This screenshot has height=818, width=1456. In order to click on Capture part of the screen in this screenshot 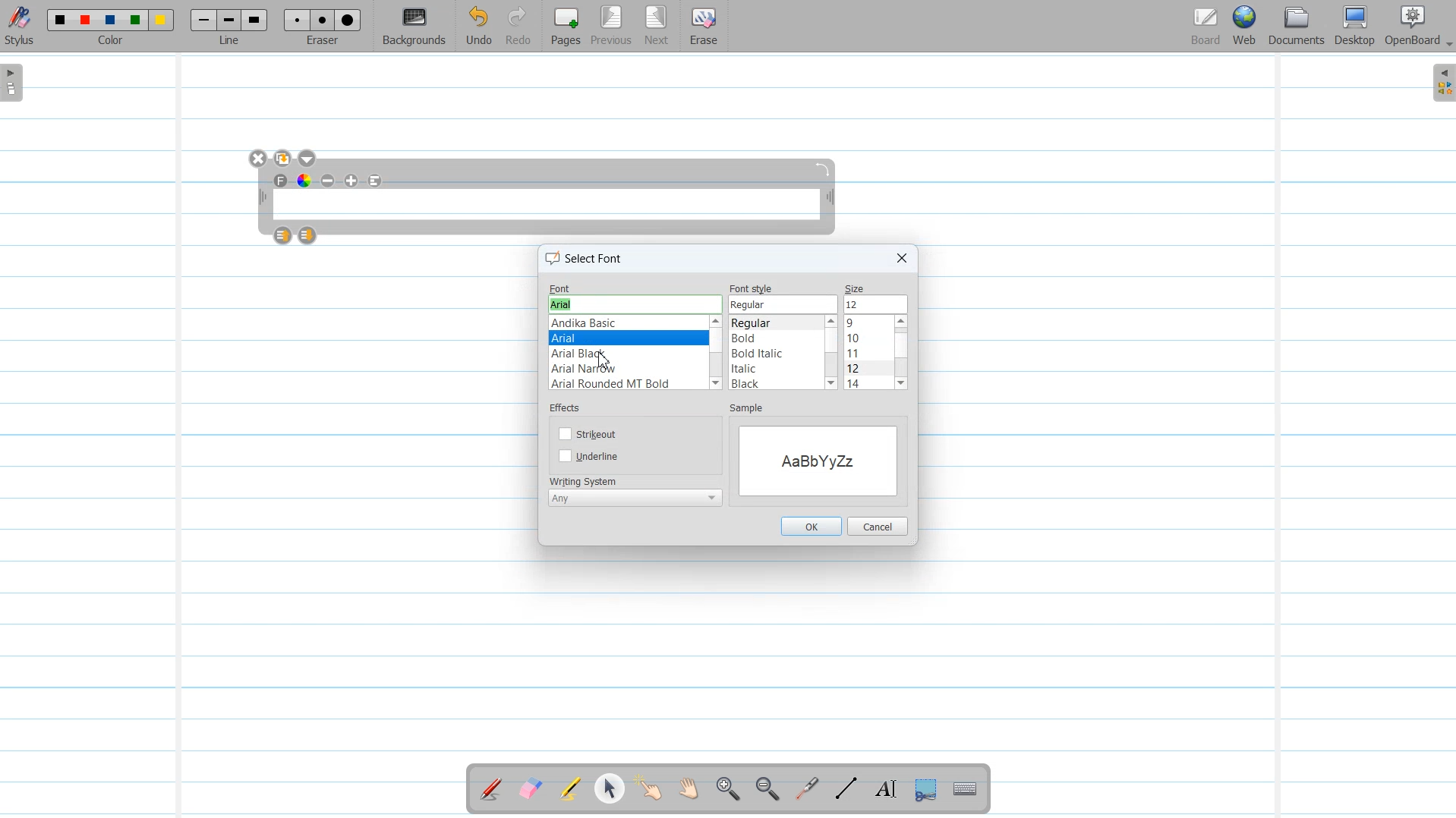, I will do `click(924, 790)`.